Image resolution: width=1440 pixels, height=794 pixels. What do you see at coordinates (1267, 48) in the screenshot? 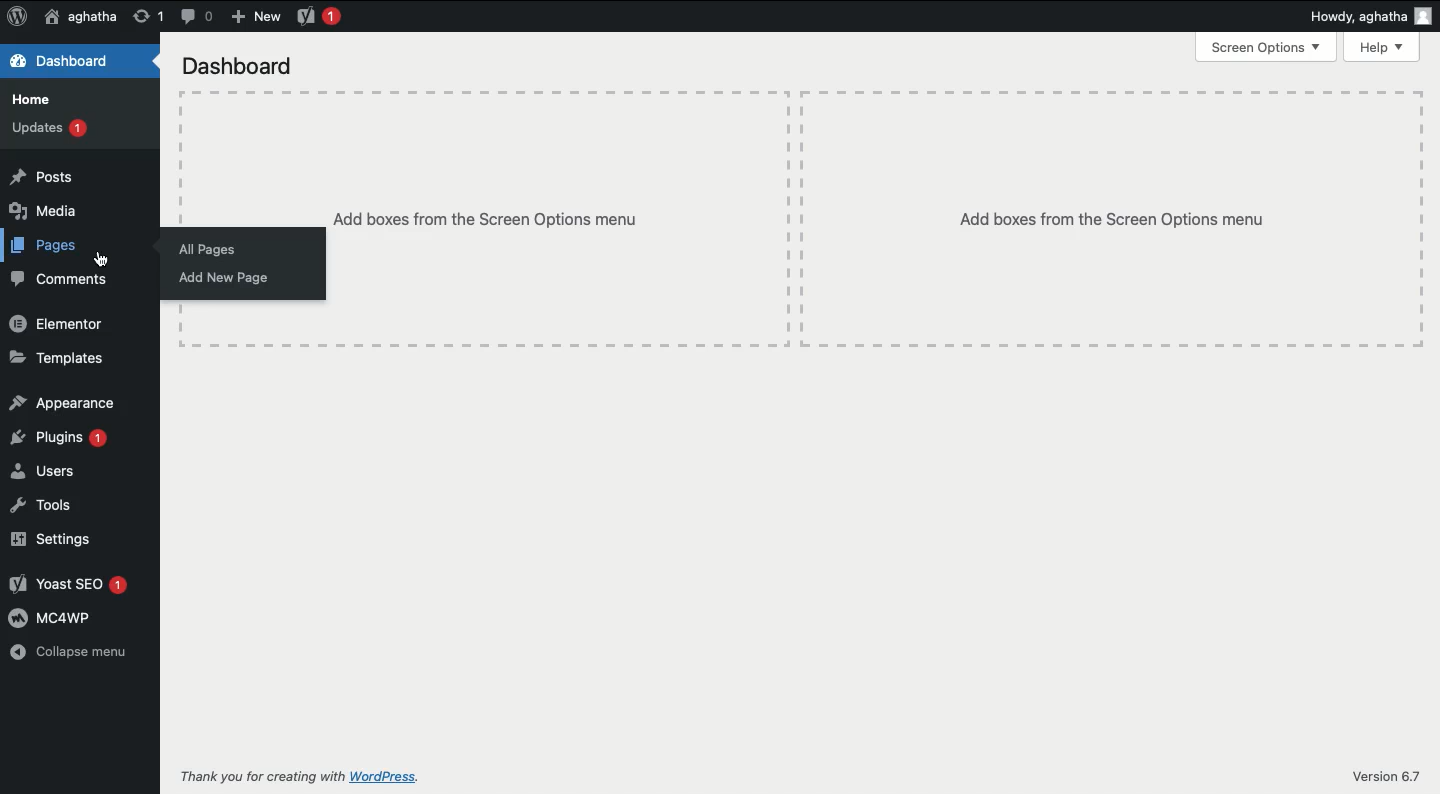
I see `Screen options` at bounding box center [1267, 48].